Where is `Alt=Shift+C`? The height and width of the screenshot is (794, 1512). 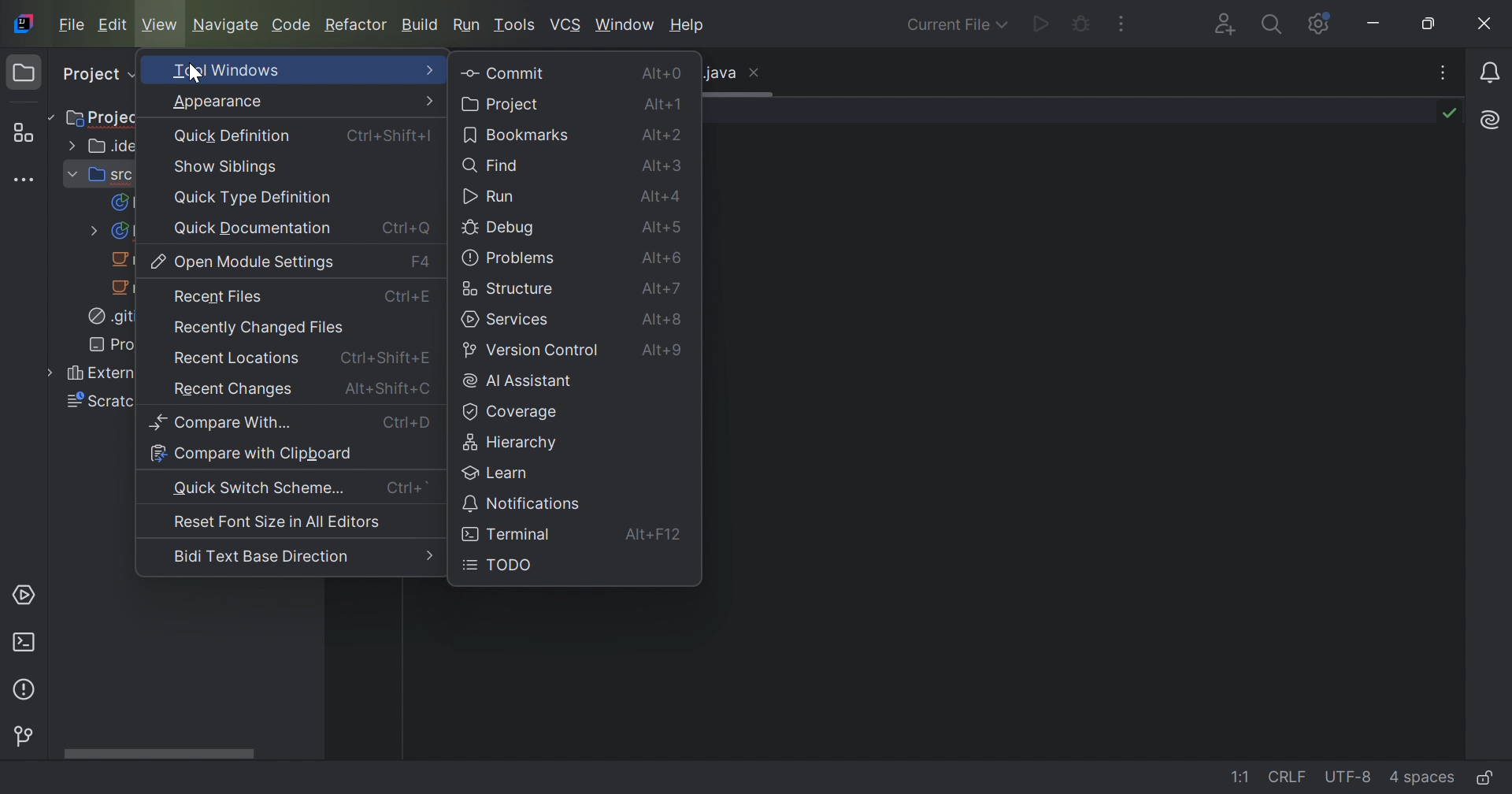 Alt=Shift+C is located at coordinates (387, 388).